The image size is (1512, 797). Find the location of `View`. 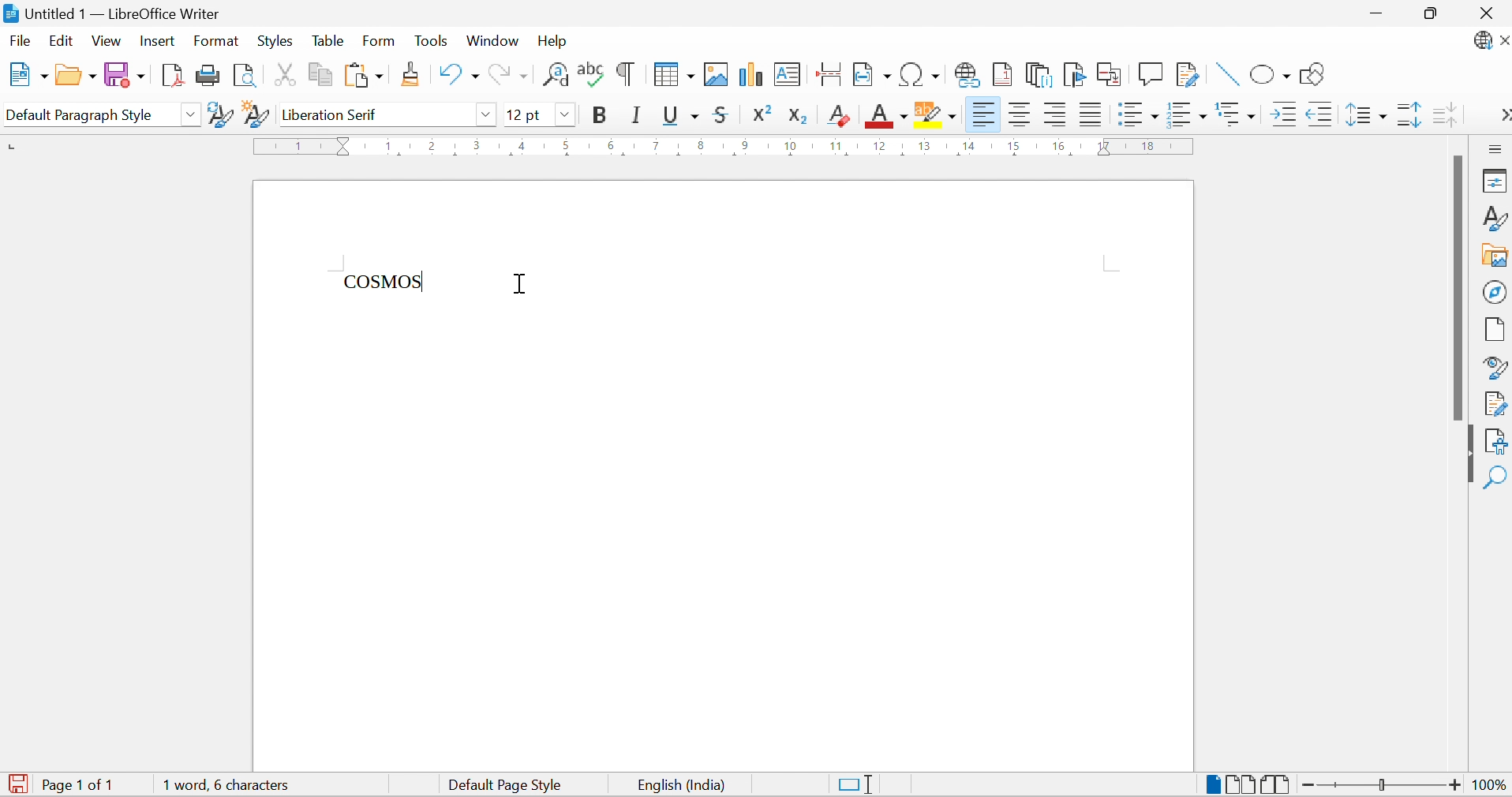

View is located at coordinates (107, 41).